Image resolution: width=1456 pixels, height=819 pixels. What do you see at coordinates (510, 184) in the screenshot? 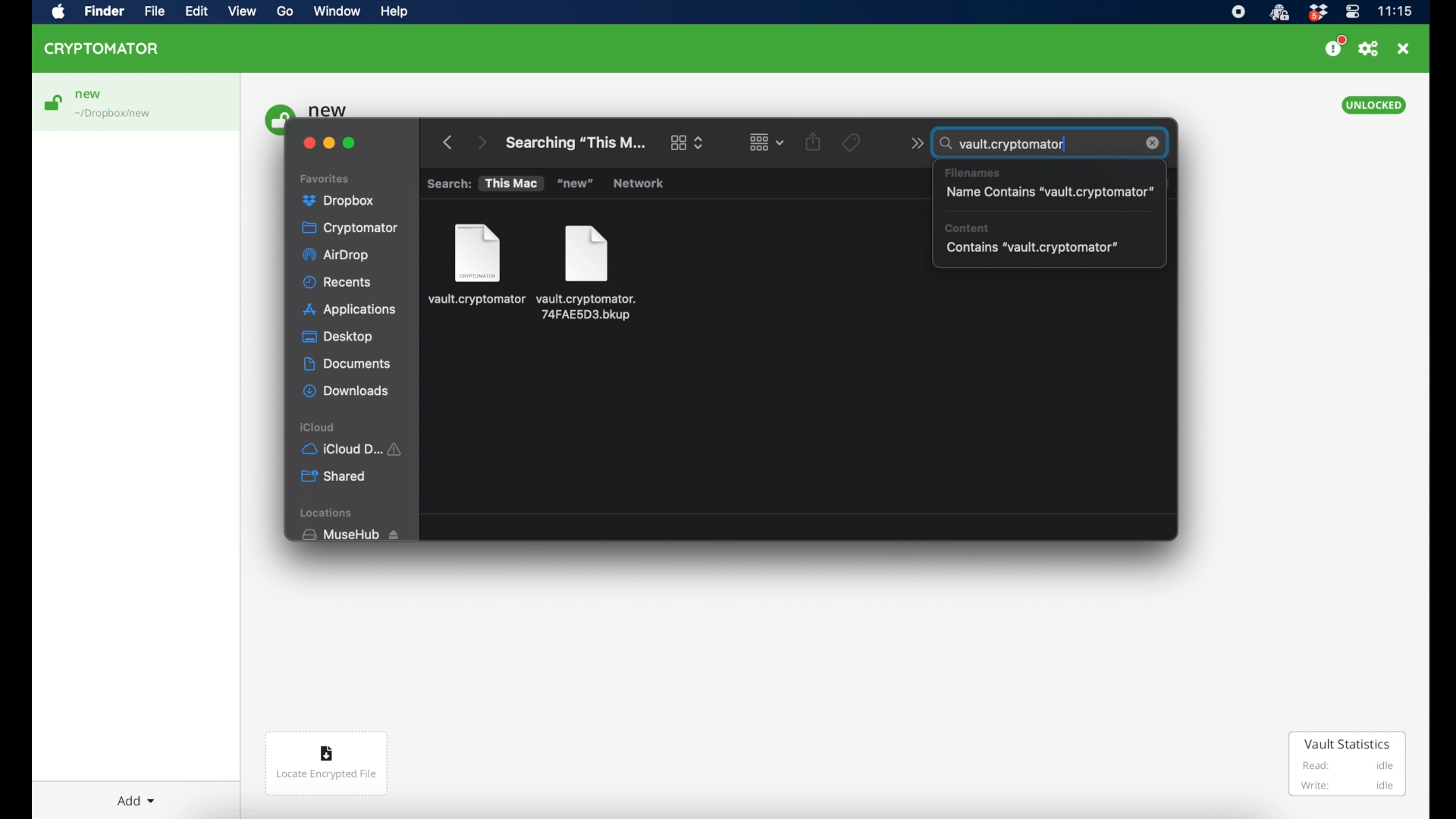
I see `this mac` at bounding box center [510, 184].